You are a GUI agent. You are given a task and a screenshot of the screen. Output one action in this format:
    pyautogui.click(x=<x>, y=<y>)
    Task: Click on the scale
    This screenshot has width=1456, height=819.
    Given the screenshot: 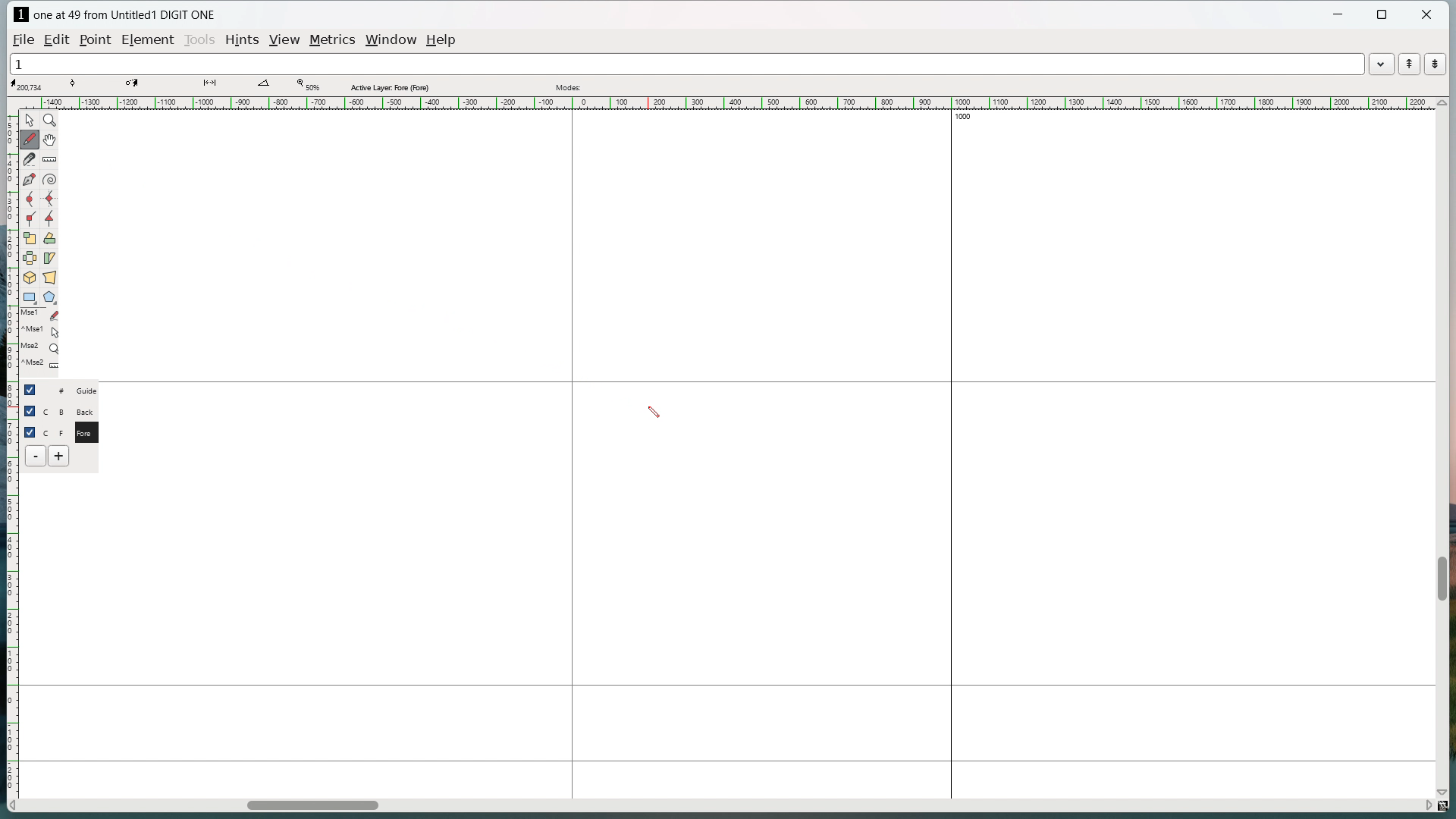 What is the action you would take?
    pyautogui.click(x=30, y=237)
    